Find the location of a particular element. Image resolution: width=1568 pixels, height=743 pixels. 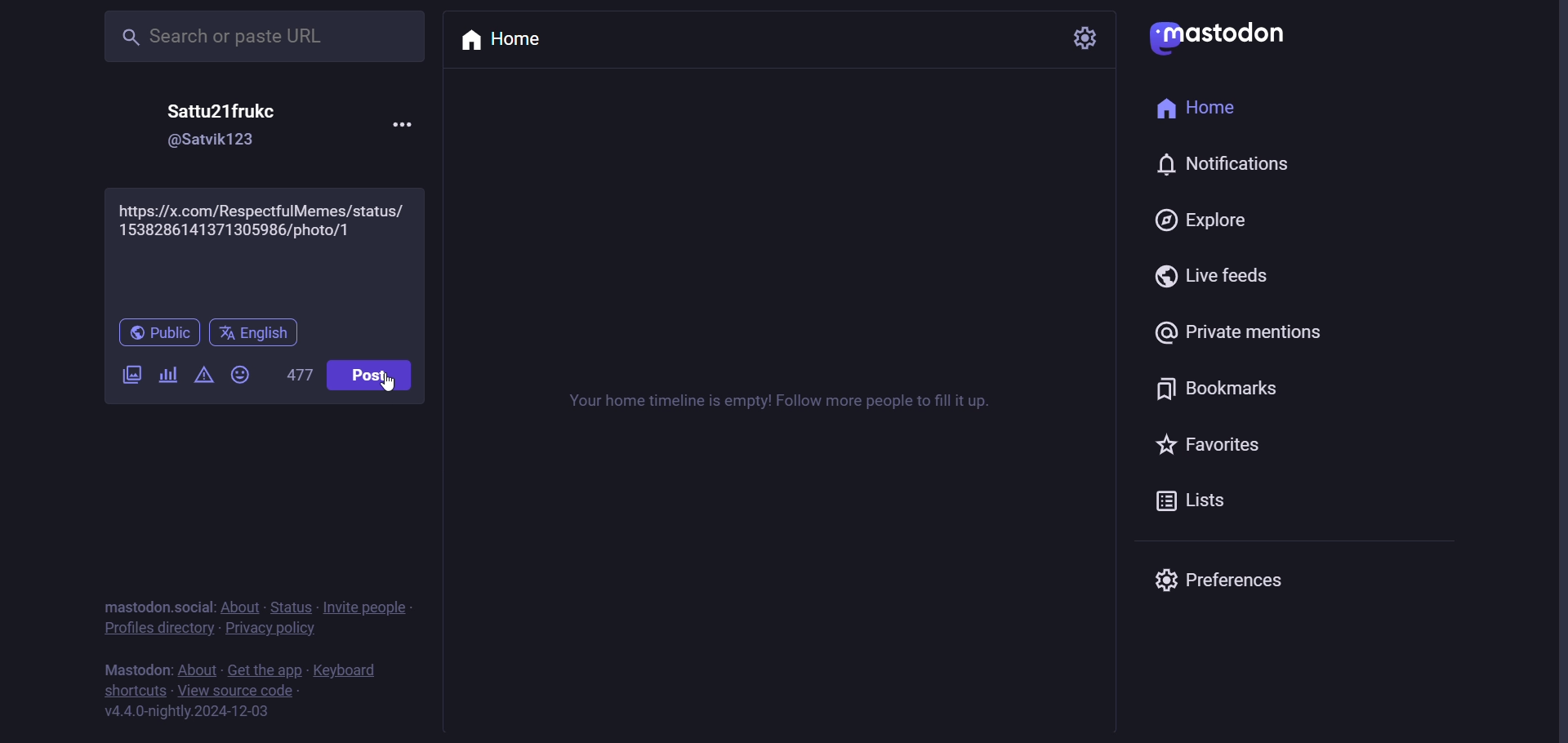

content warning is located at coordinates (201, 378).